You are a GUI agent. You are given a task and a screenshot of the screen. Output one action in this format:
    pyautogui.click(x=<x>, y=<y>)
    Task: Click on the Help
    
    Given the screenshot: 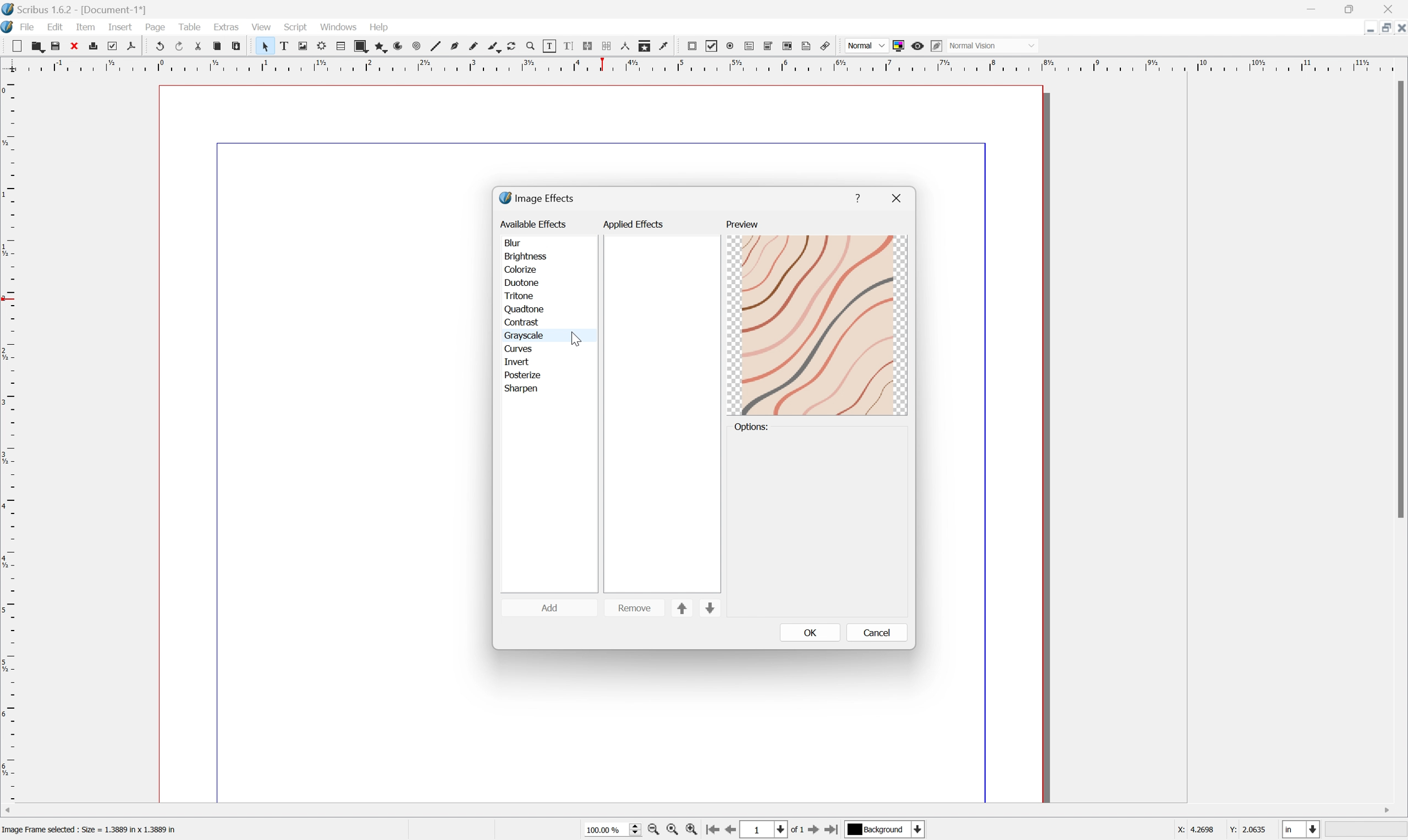 What is the action you would take?
    pyautogui.click(x=376, y=27)
    